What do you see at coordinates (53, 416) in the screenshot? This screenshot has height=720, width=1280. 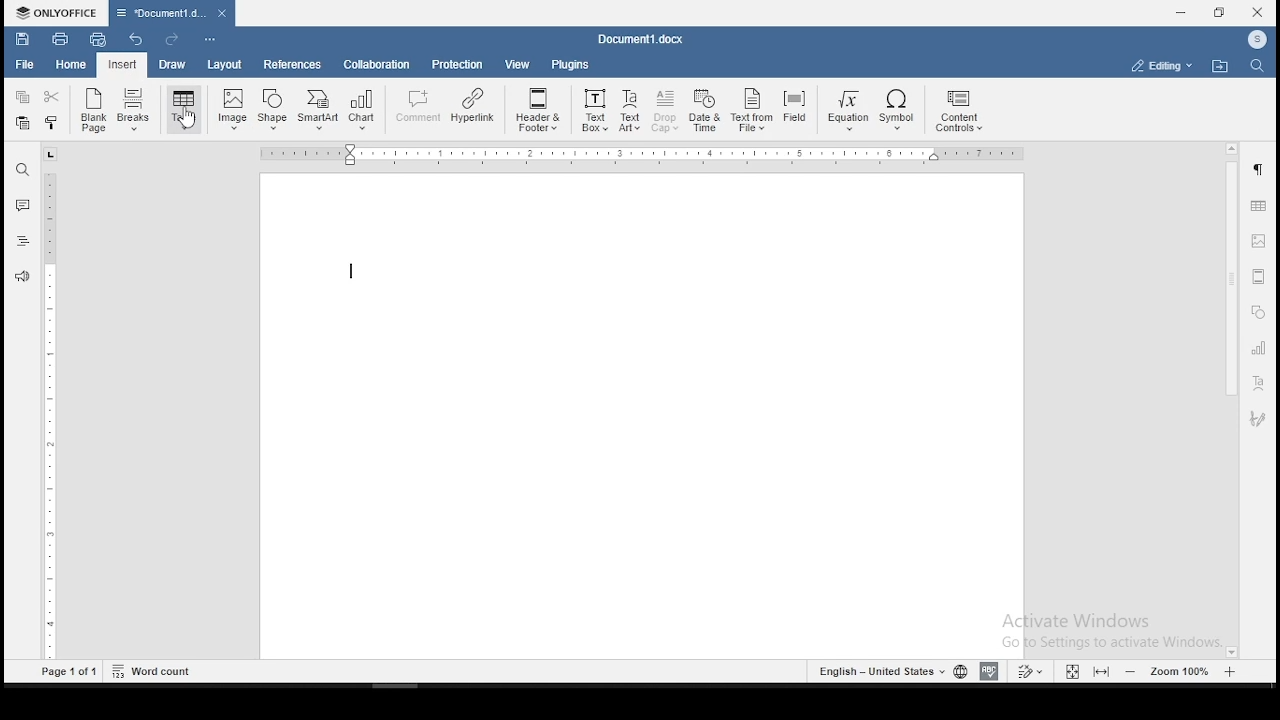 I see `ruler` at bounding box center [53, 416].